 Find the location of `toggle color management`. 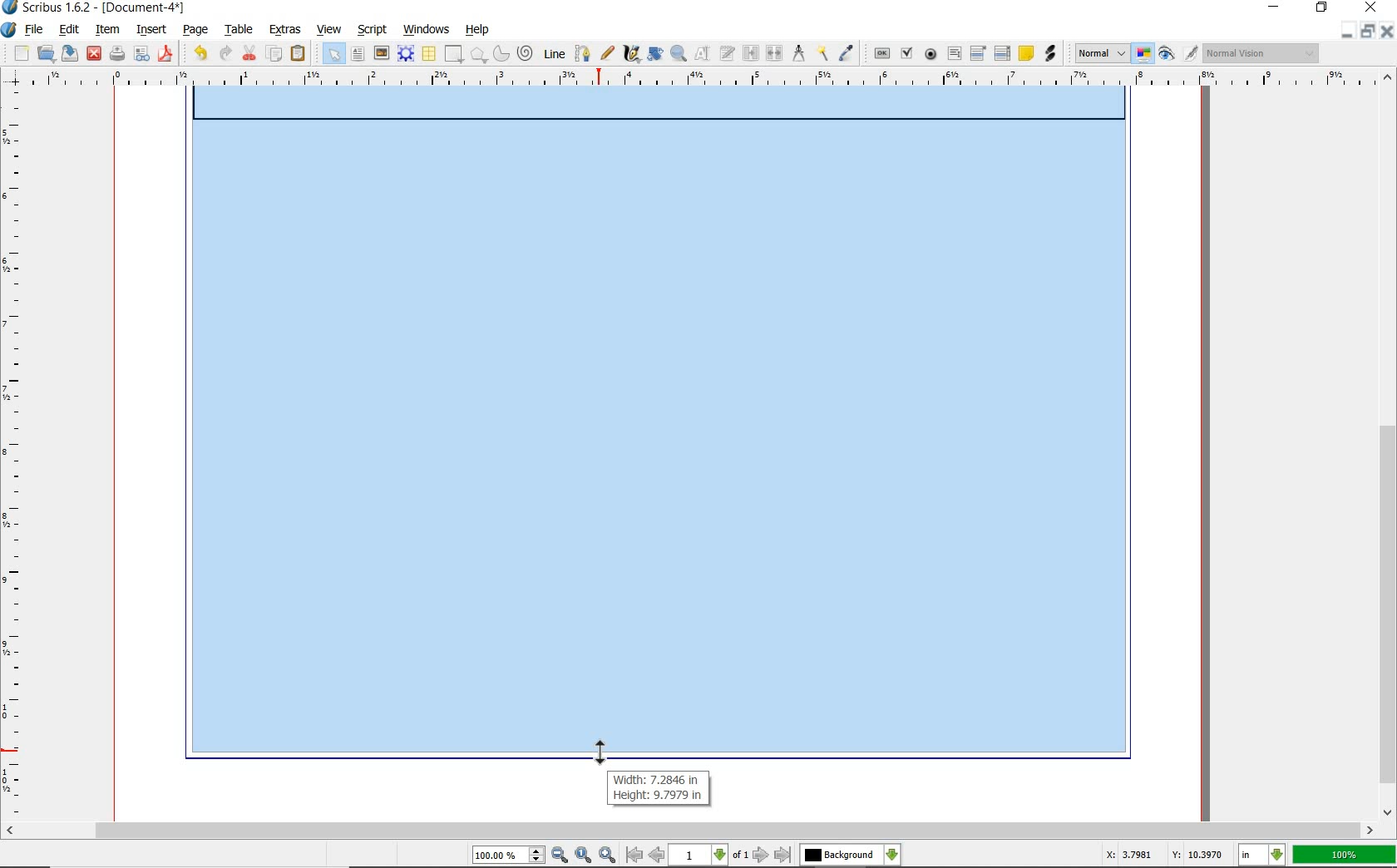

toggle color management is located at coordinates (1144, 55).